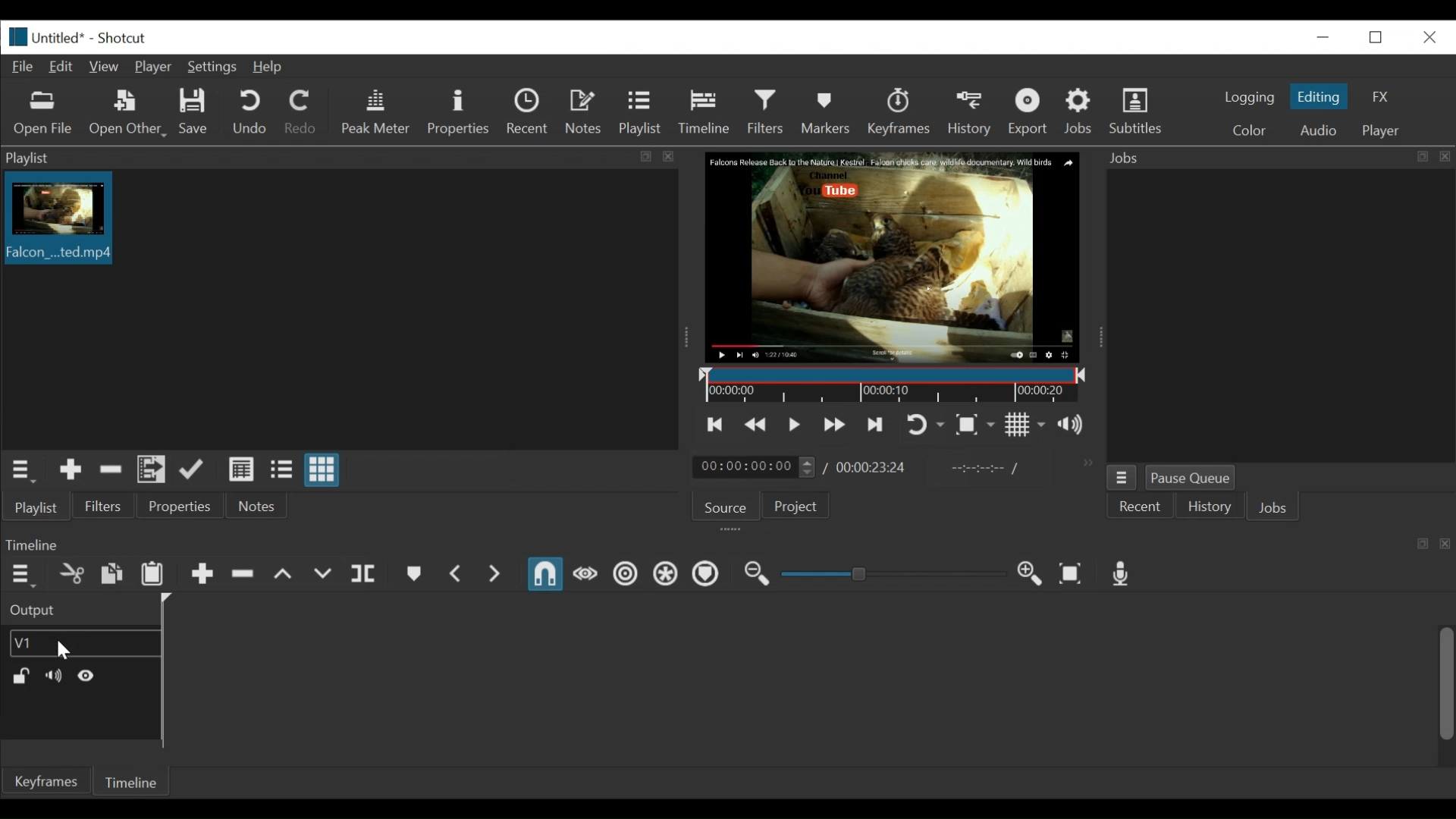 The height and width of the screenshot is (819, 1456). Describe the element at coordinates (829, 114) in the screenshot. I see `Markers` at that location.